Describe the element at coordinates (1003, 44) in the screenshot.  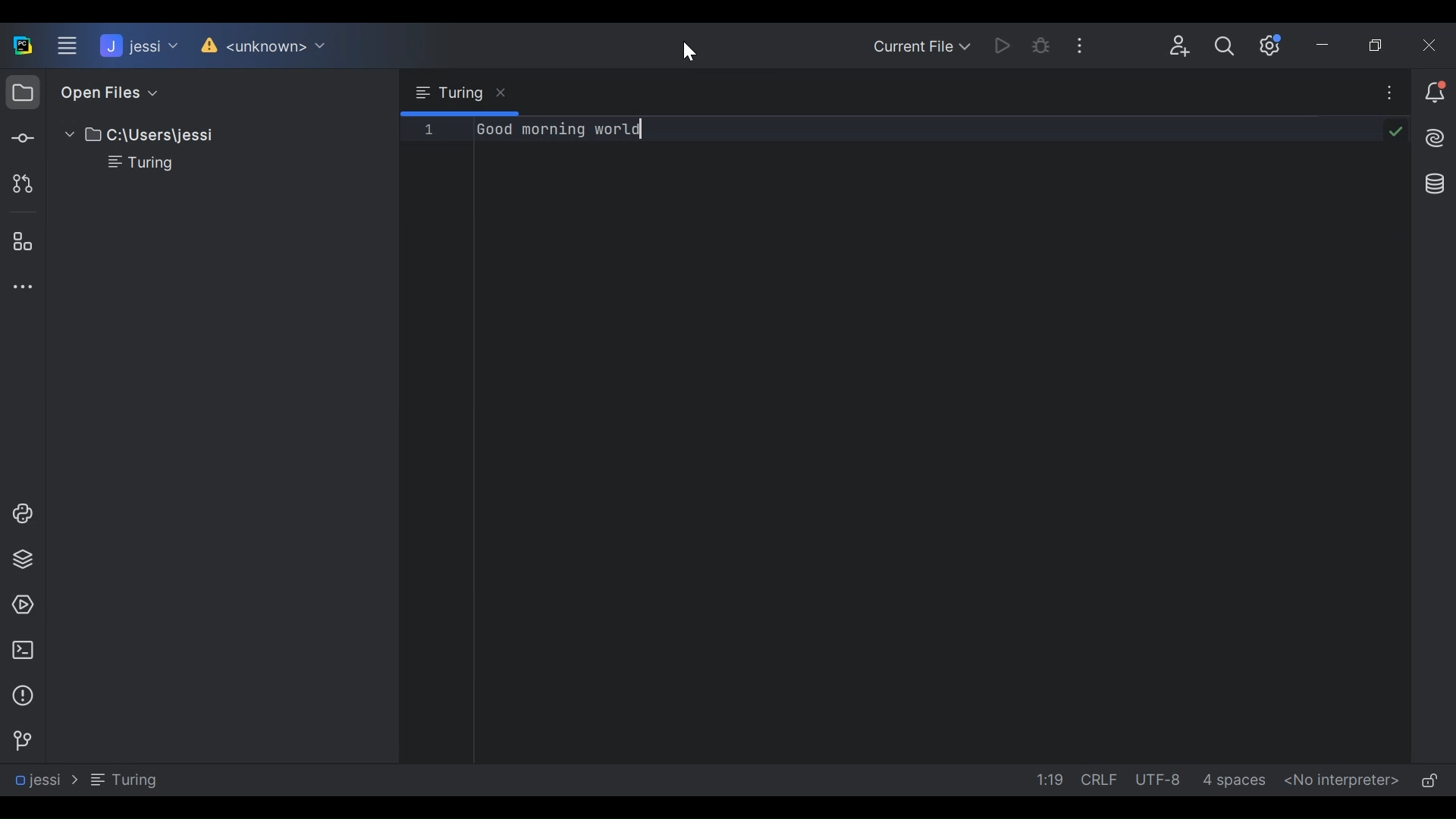
I see `Run` at that location.